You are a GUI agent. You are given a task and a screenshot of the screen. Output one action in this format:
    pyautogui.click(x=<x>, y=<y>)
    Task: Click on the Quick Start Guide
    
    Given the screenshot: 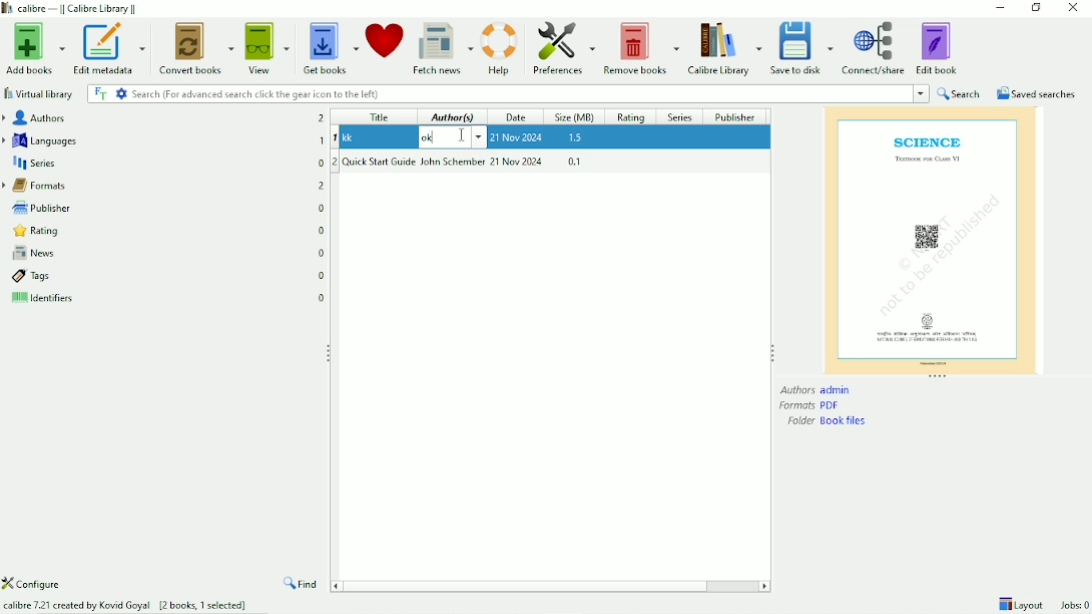 What is the action you would take?
    pyautogui.click(x=550, y=162)
    